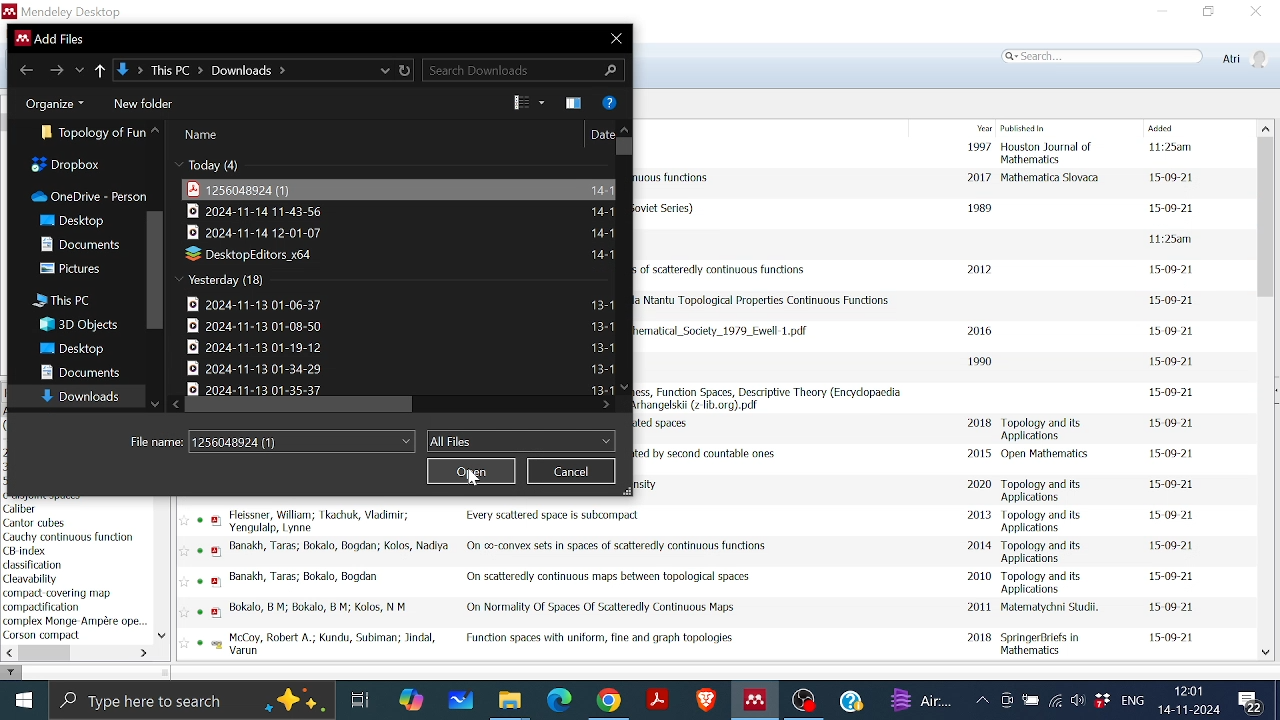  What do you see at coordinates (184, 610) in the screenshot?
I see `Favourite` at bounding box center [184, 610].